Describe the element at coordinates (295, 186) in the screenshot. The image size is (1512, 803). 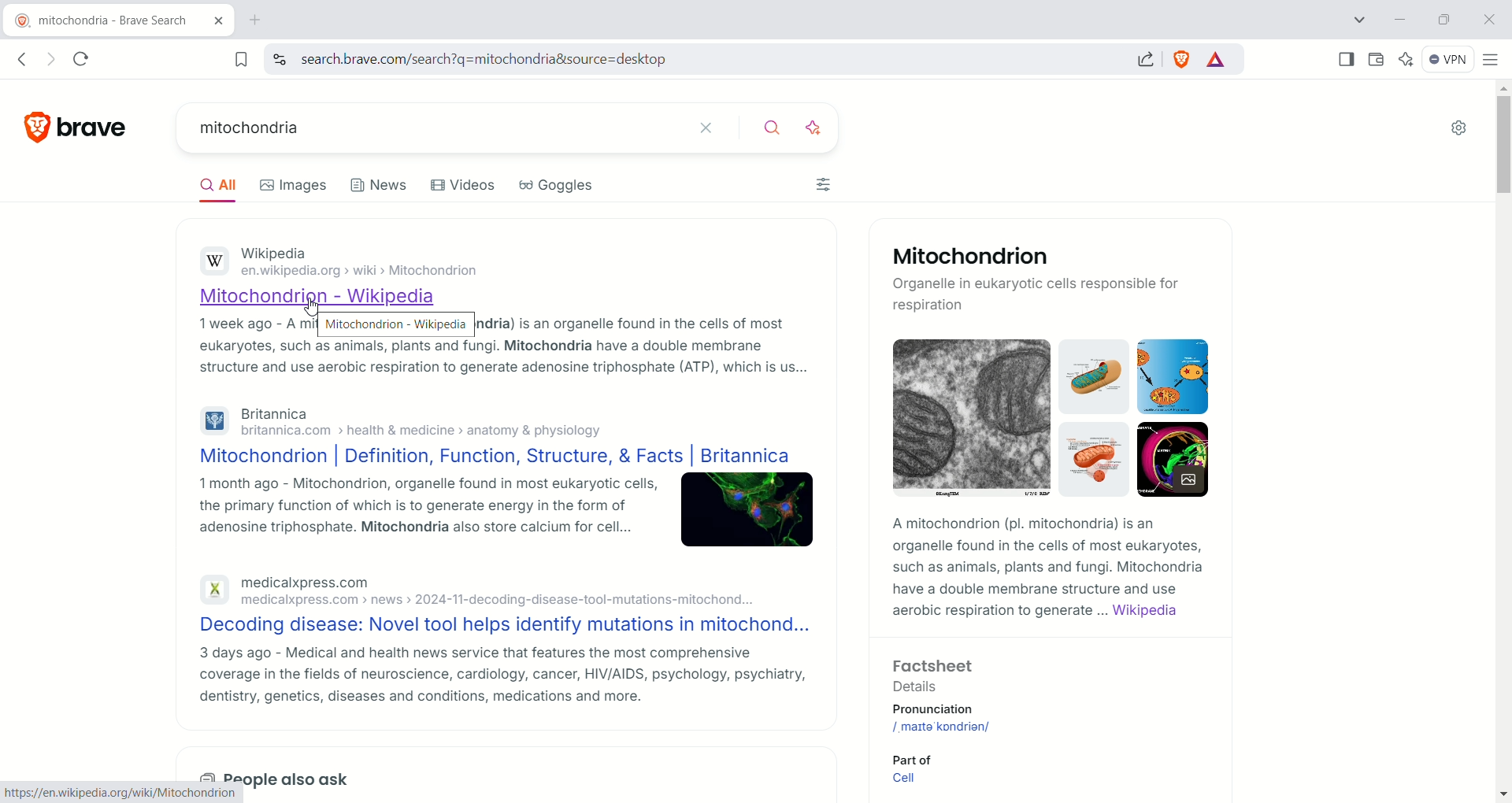
I see `images` at that location.